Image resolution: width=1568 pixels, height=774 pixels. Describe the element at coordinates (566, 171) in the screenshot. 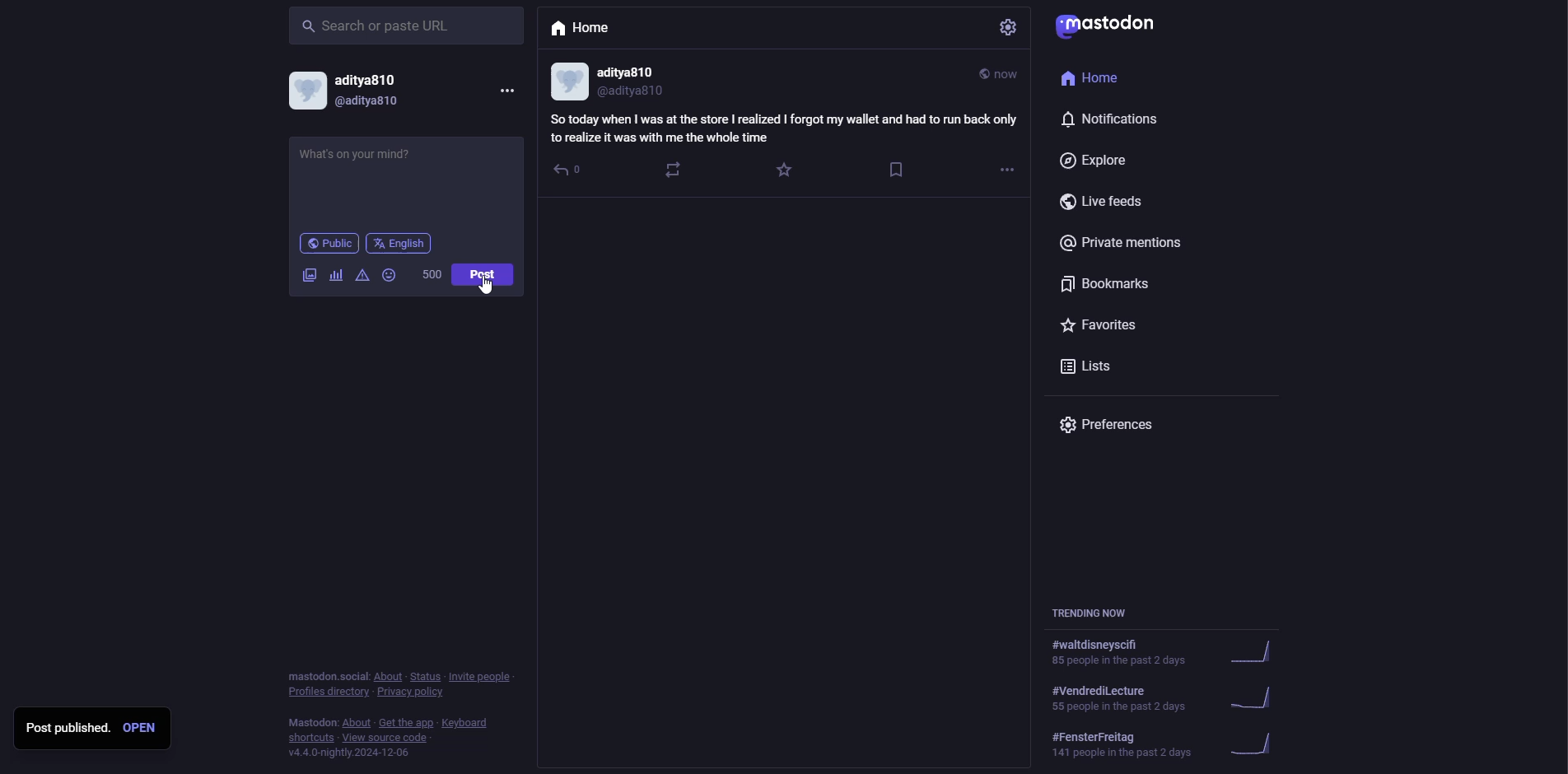

I see `reply` at that location.